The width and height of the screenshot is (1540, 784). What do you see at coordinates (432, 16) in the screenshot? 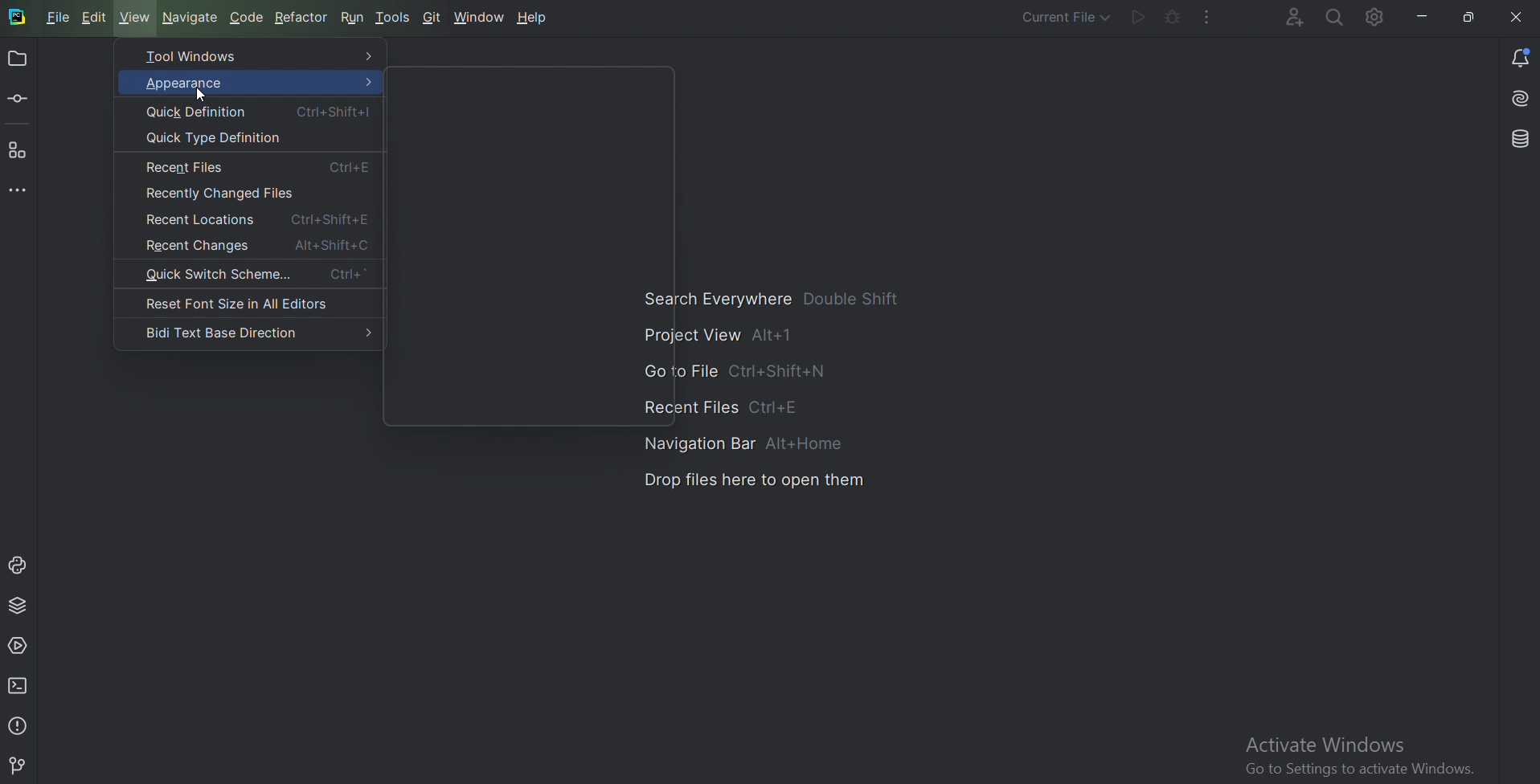
I see `Git` at bounding box center [432, 16].